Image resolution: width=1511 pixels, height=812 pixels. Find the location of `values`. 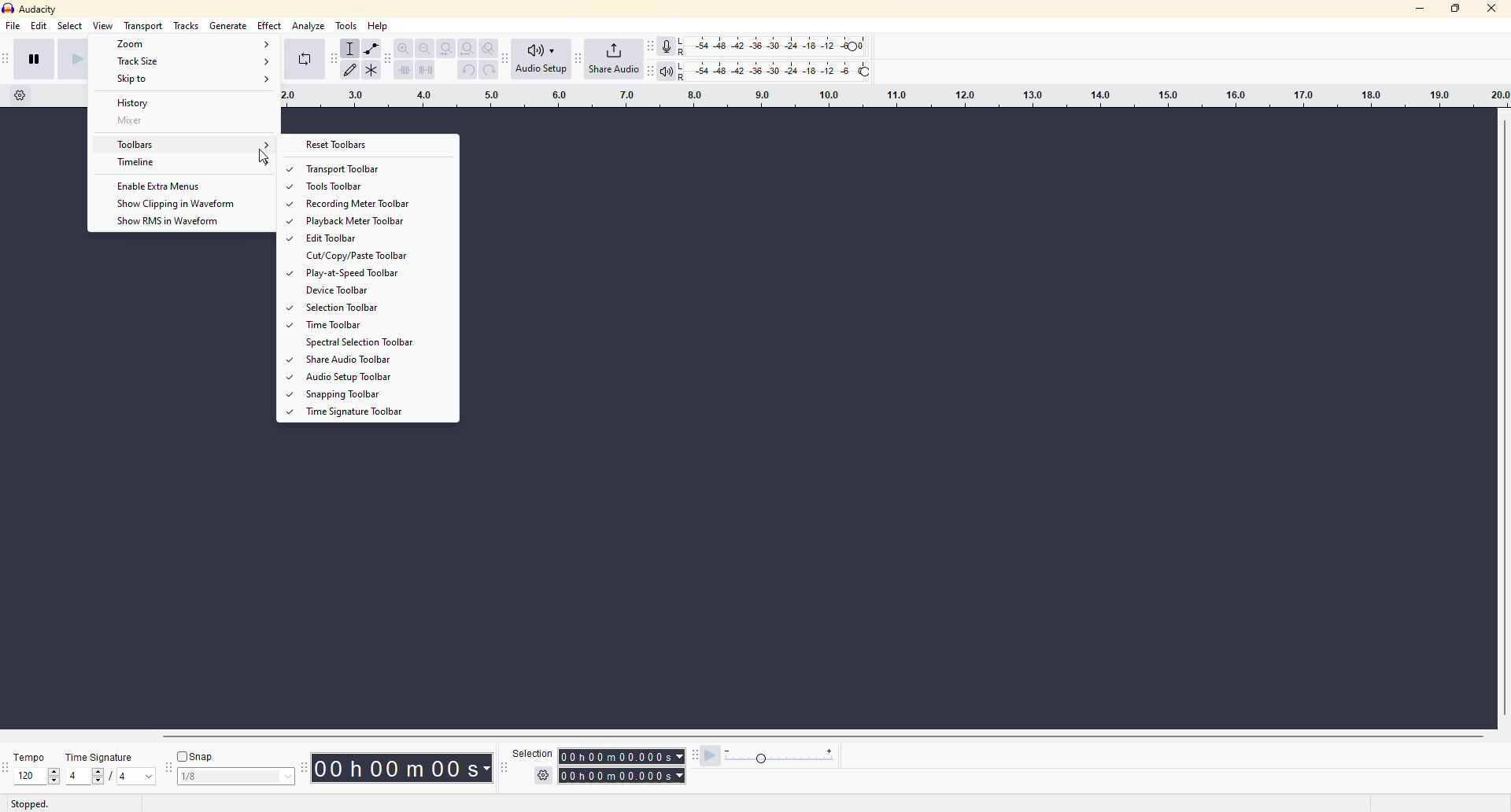

values is located at coordinates (216, 777).